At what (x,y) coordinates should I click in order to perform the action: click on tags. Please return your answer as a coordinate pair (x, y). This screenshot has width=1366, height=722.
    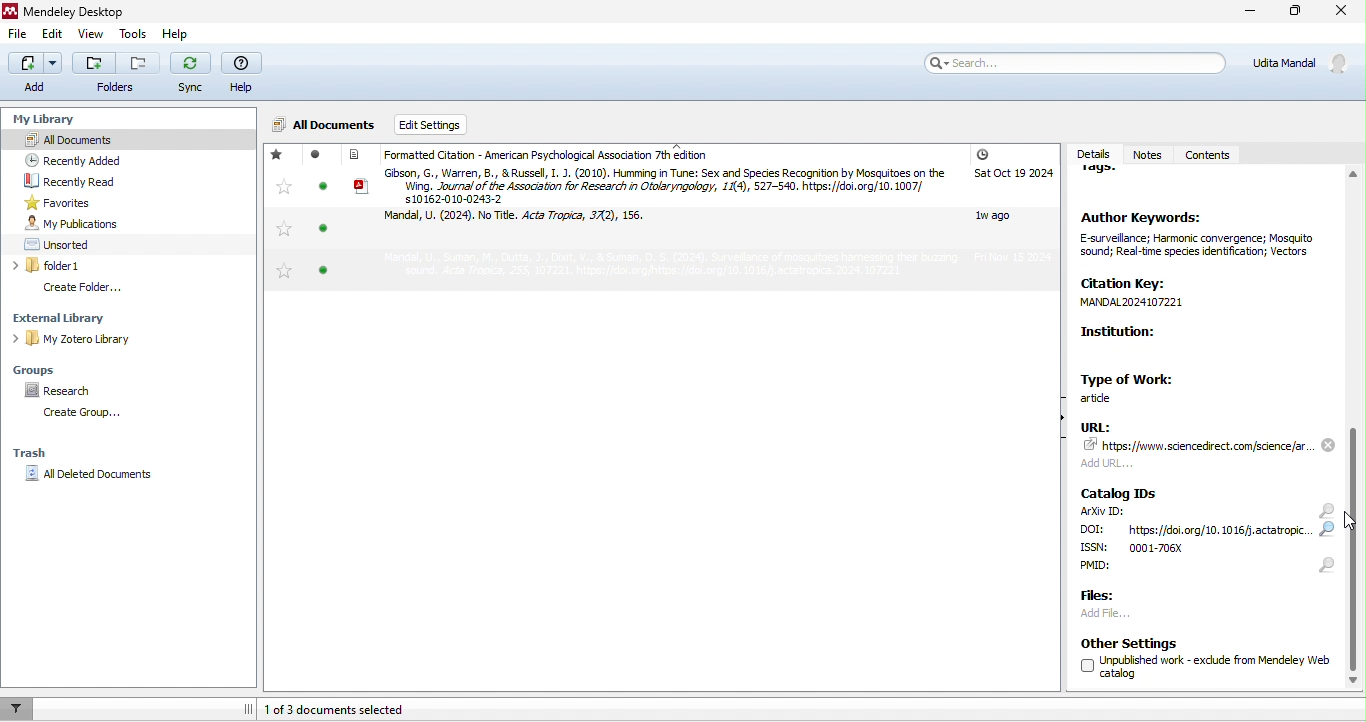
    Looking at the image, I should click on (1107, 176).